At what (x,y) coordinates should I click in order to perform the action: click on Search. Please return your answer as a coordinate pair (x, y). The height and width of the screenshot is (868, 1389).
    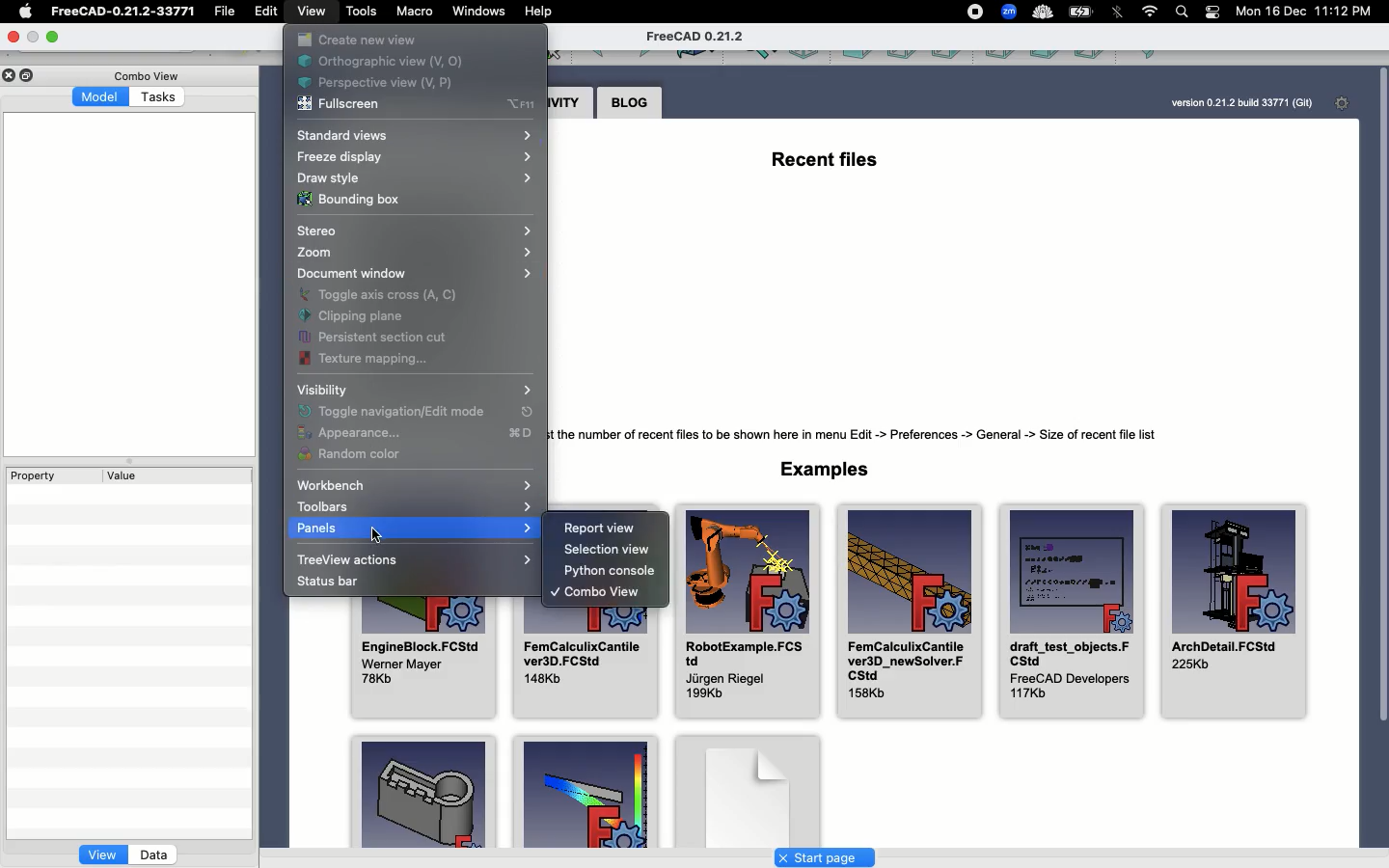
    Looking at the image, I should click on (1183, 12).